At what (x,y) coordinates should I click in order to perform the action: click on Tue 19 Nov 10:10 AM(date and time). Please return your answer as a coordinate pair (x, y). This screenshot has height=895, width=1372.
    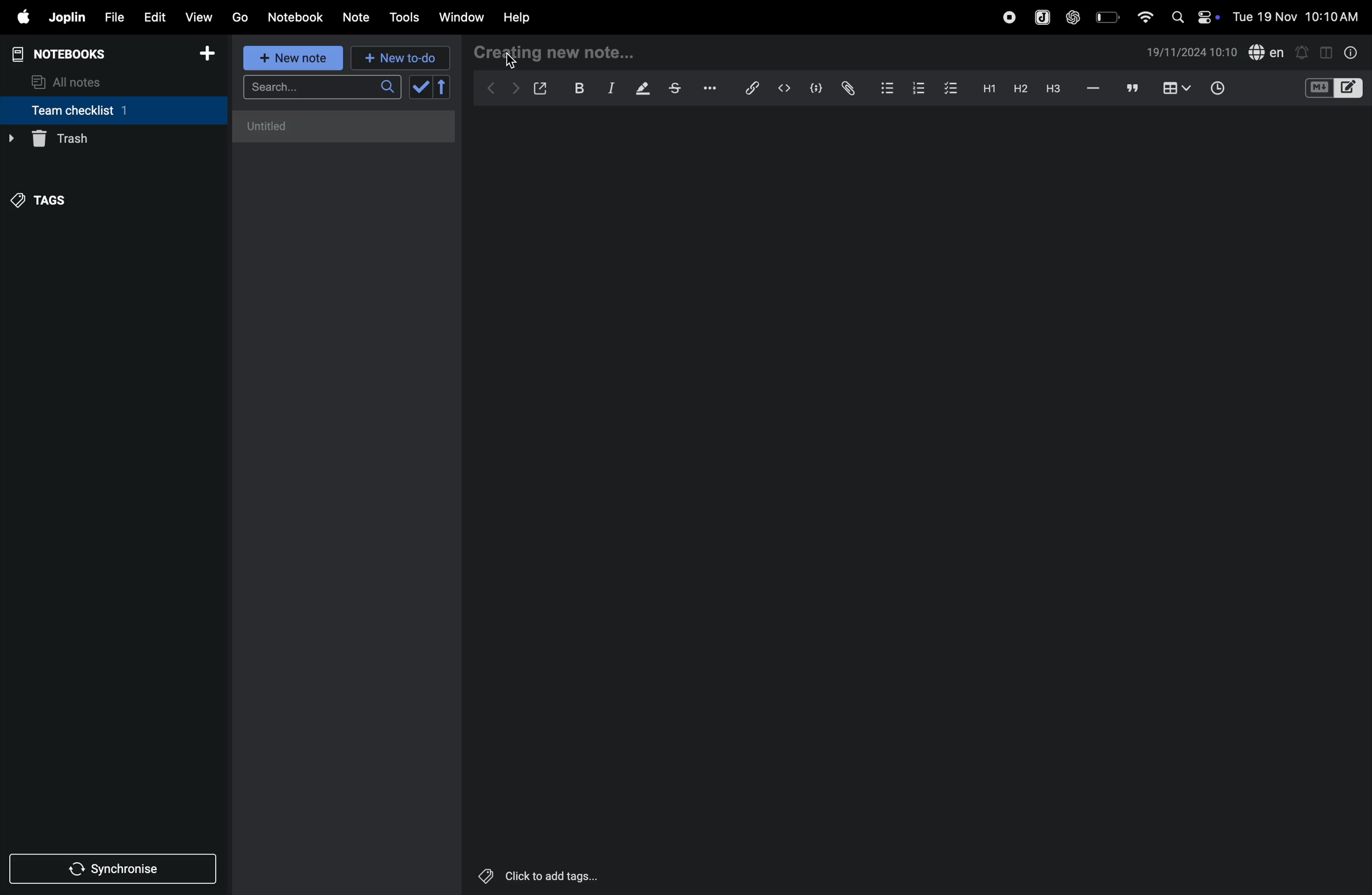
    Looking at the image, I should click on (1297, 17).